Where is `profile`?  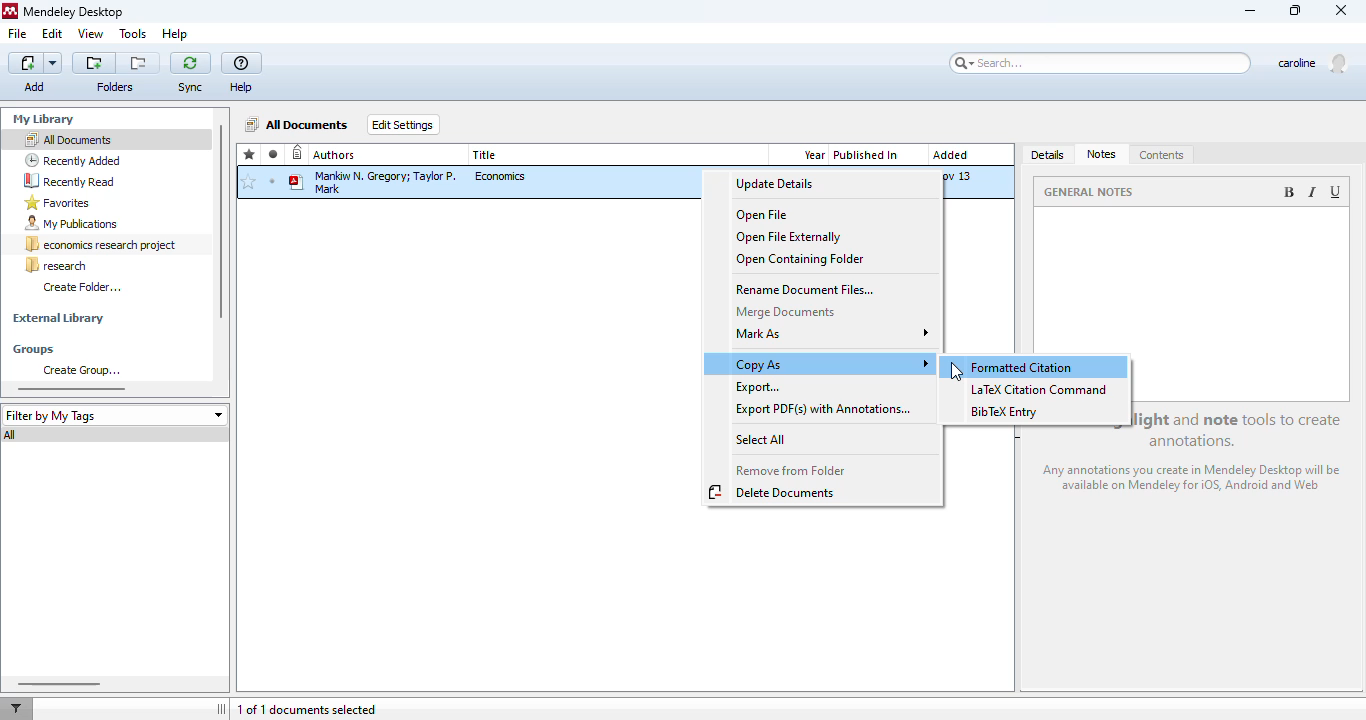
profile is located at coordinates (1319, 66).